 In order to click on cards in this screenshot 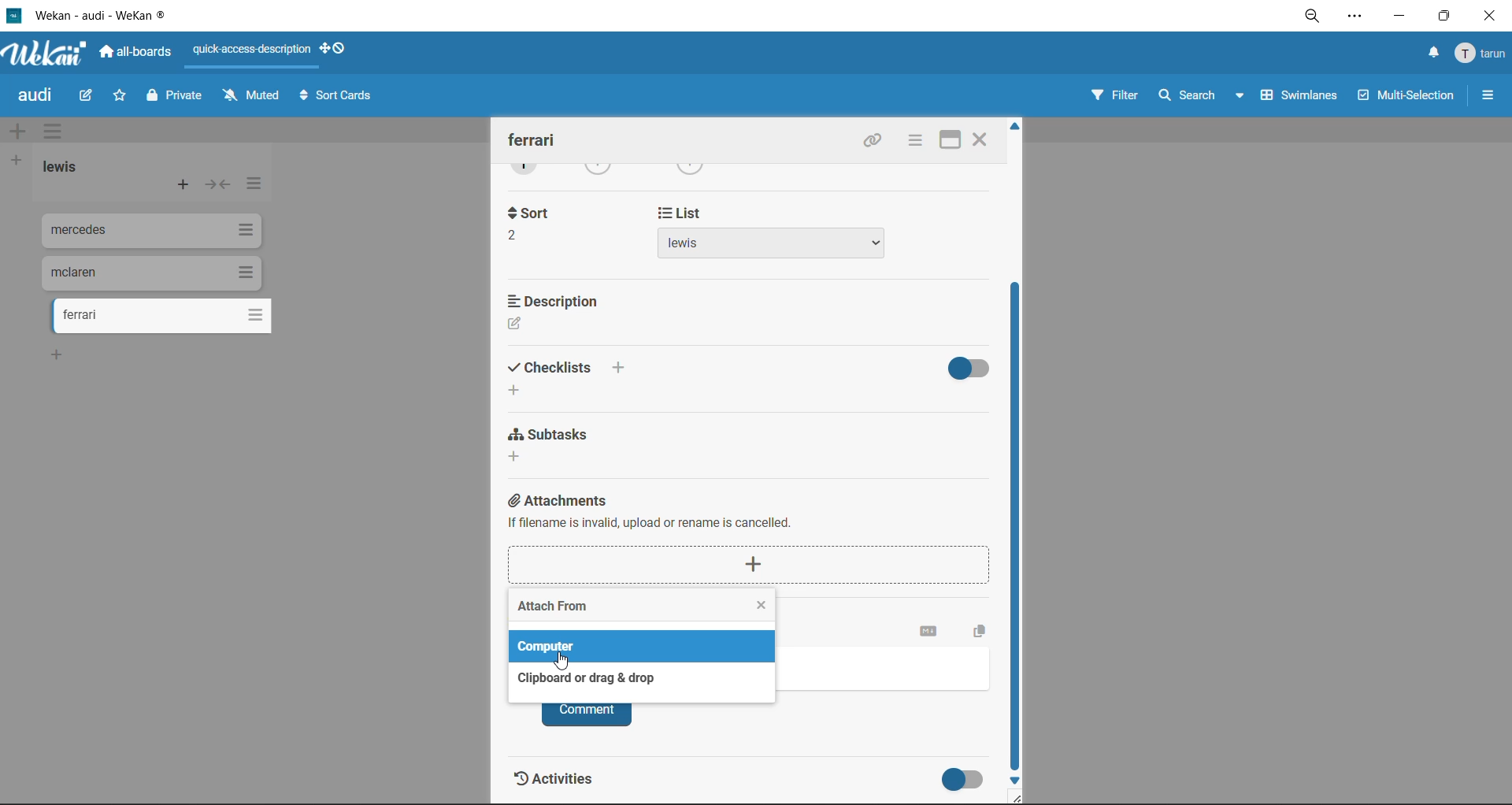, I will do `click(147, 231)`.